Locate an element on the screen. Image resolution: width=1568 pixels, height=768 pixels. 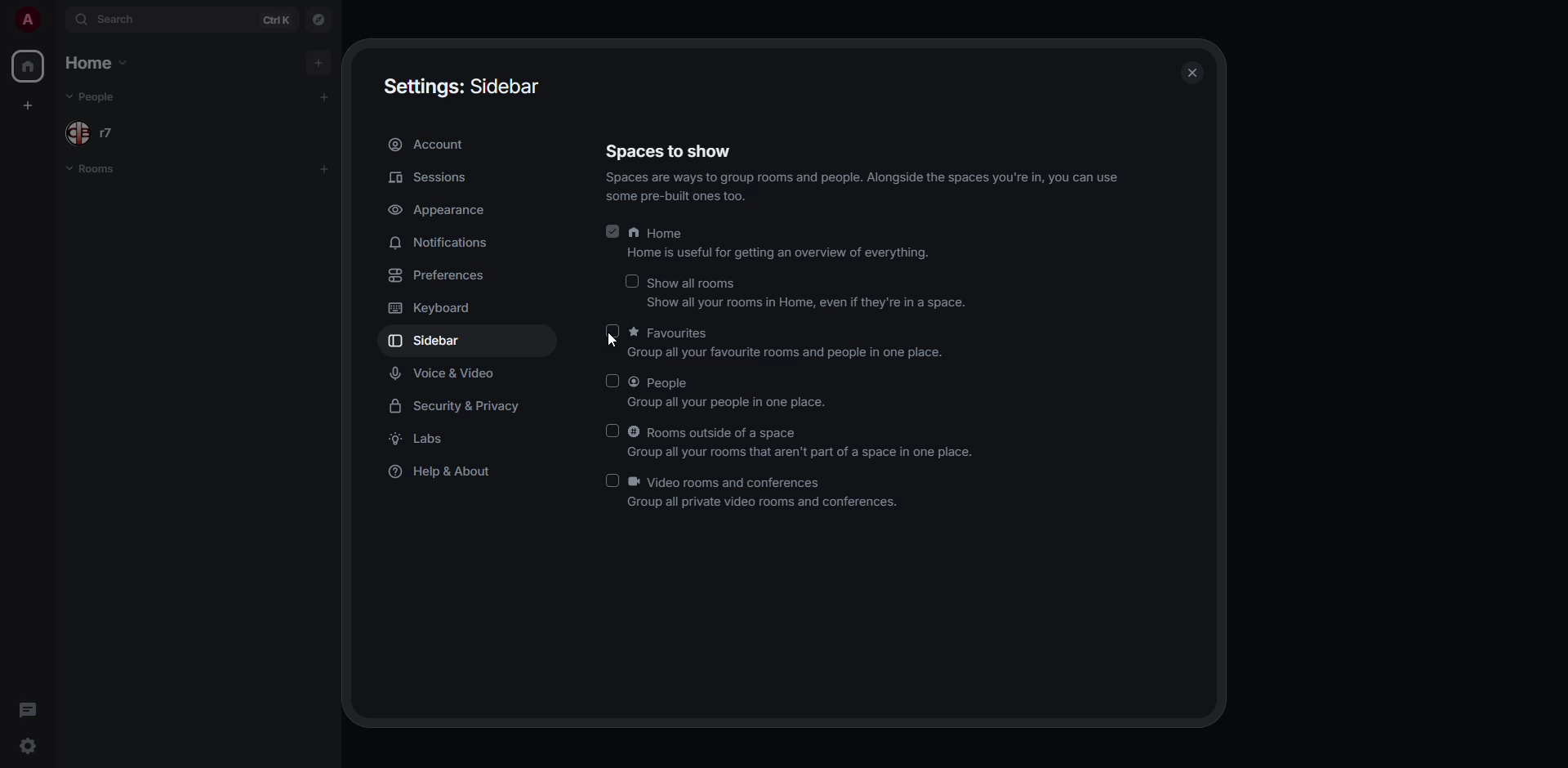
sidebar is located at coordinates (437, 340).